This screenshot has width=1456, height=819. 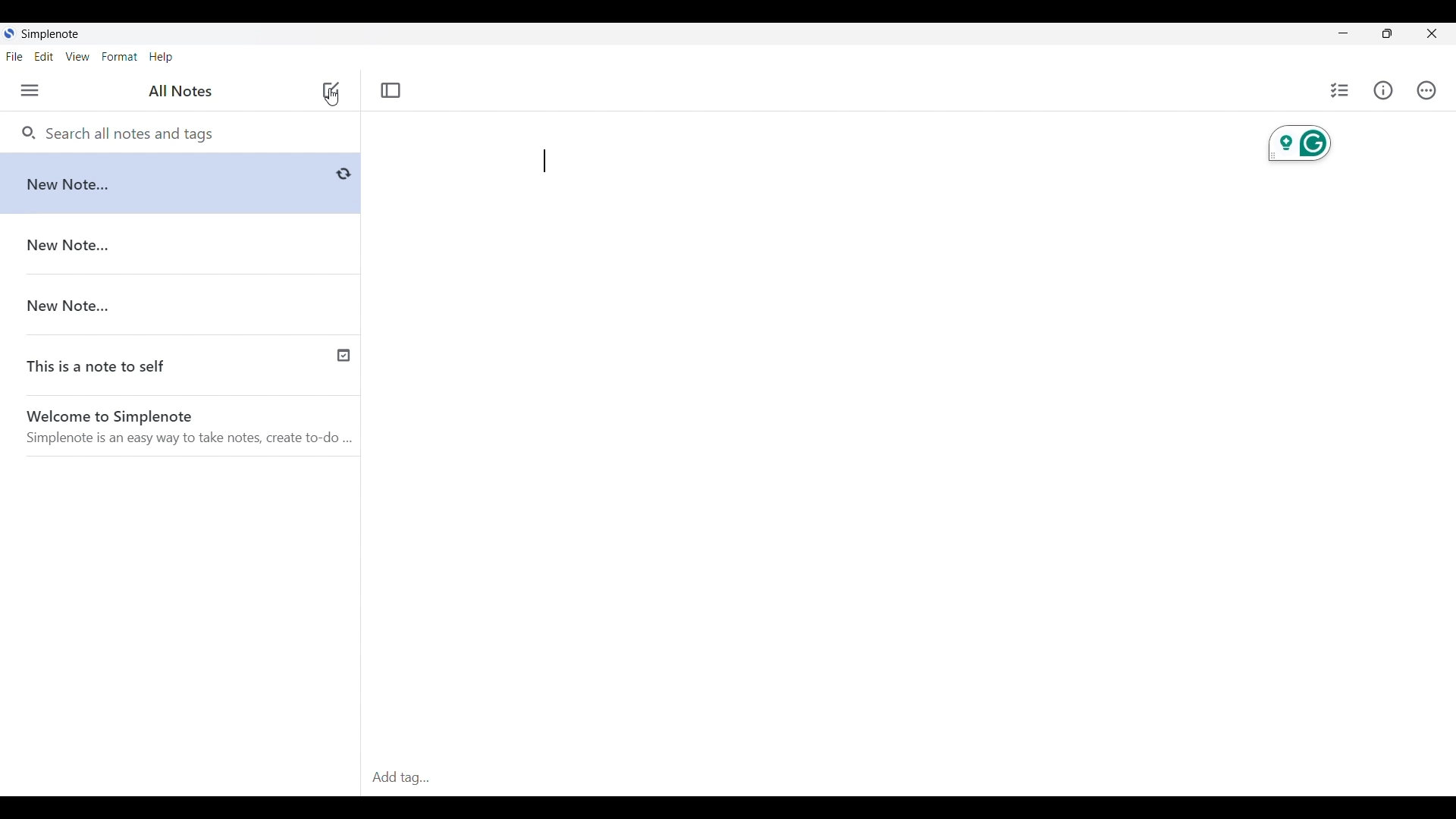 What do you see at coordinates (128, 130) in the screenshot?
I see `Search all notes and tags` at bounding box center [128, 130].